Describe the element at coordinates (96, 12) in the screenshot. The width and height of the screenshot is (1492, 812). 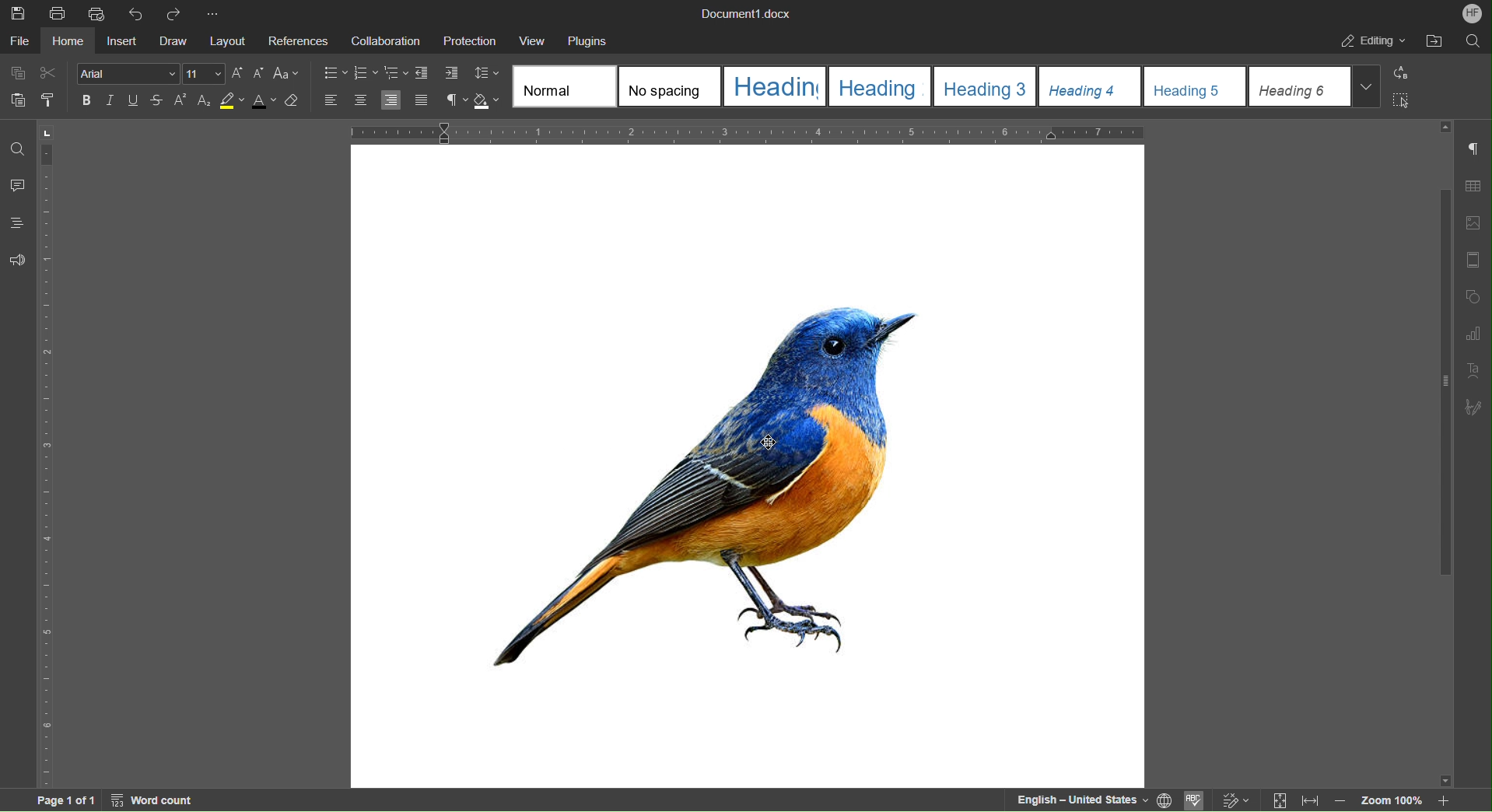
I see `Quick Print` at that location.